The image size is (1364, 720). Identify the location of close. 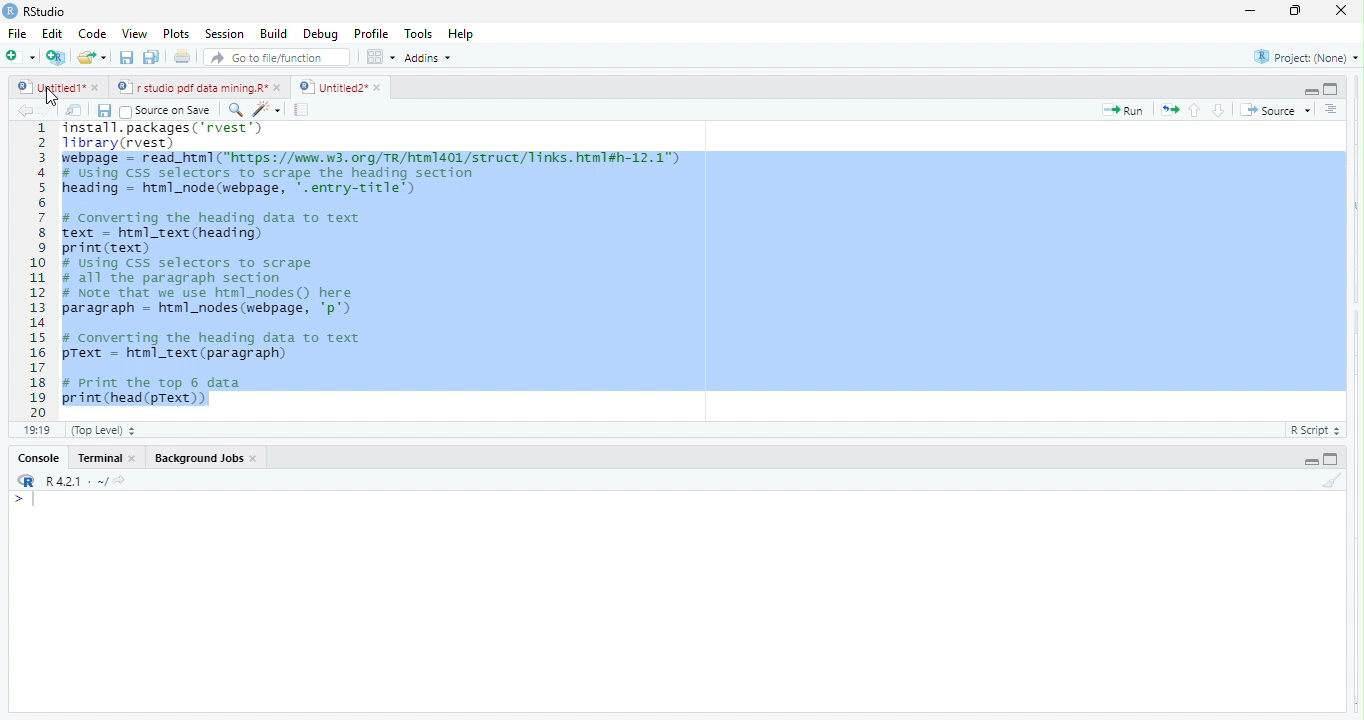
(280, 87).